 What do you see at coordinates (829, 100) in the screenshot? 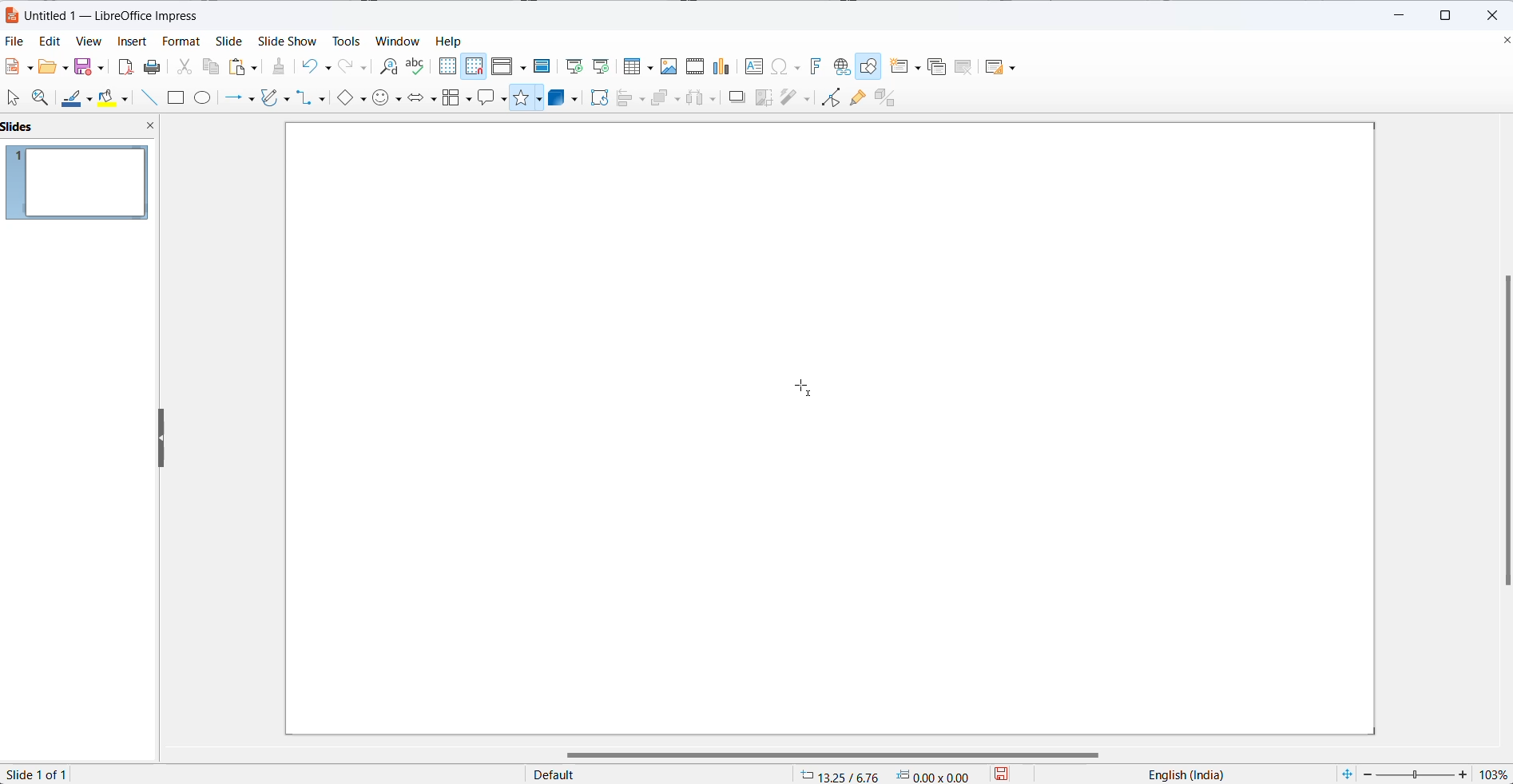
I see `show toggle edit mode` at bounding box center [829, 100].